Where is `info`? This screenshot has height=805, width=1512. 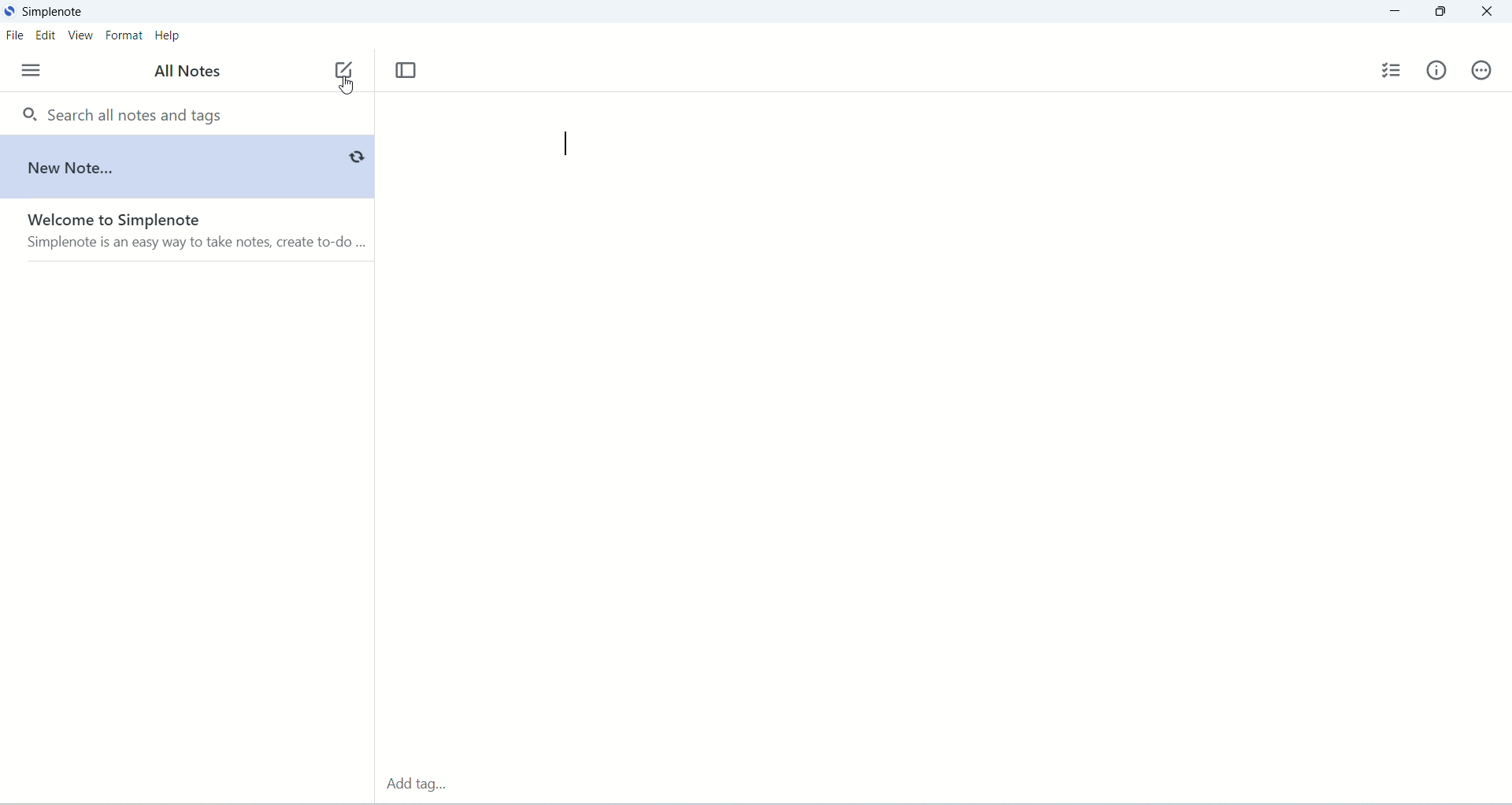
info is located at coordinates (1435, 72).